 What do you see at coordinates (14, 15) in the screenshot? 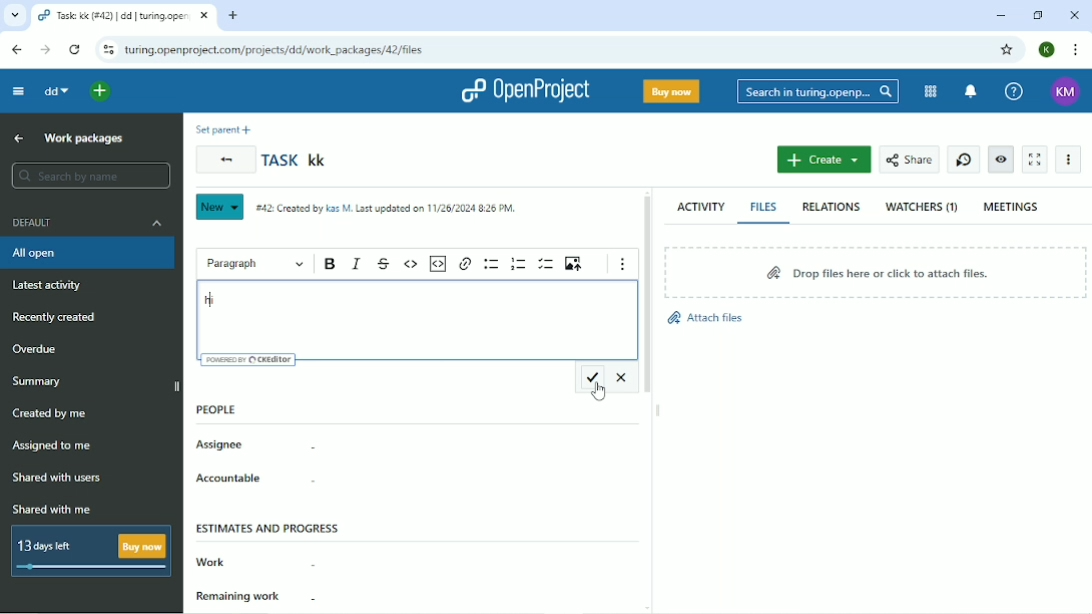
I see `Search tabs` at bounding box center [14, 15].